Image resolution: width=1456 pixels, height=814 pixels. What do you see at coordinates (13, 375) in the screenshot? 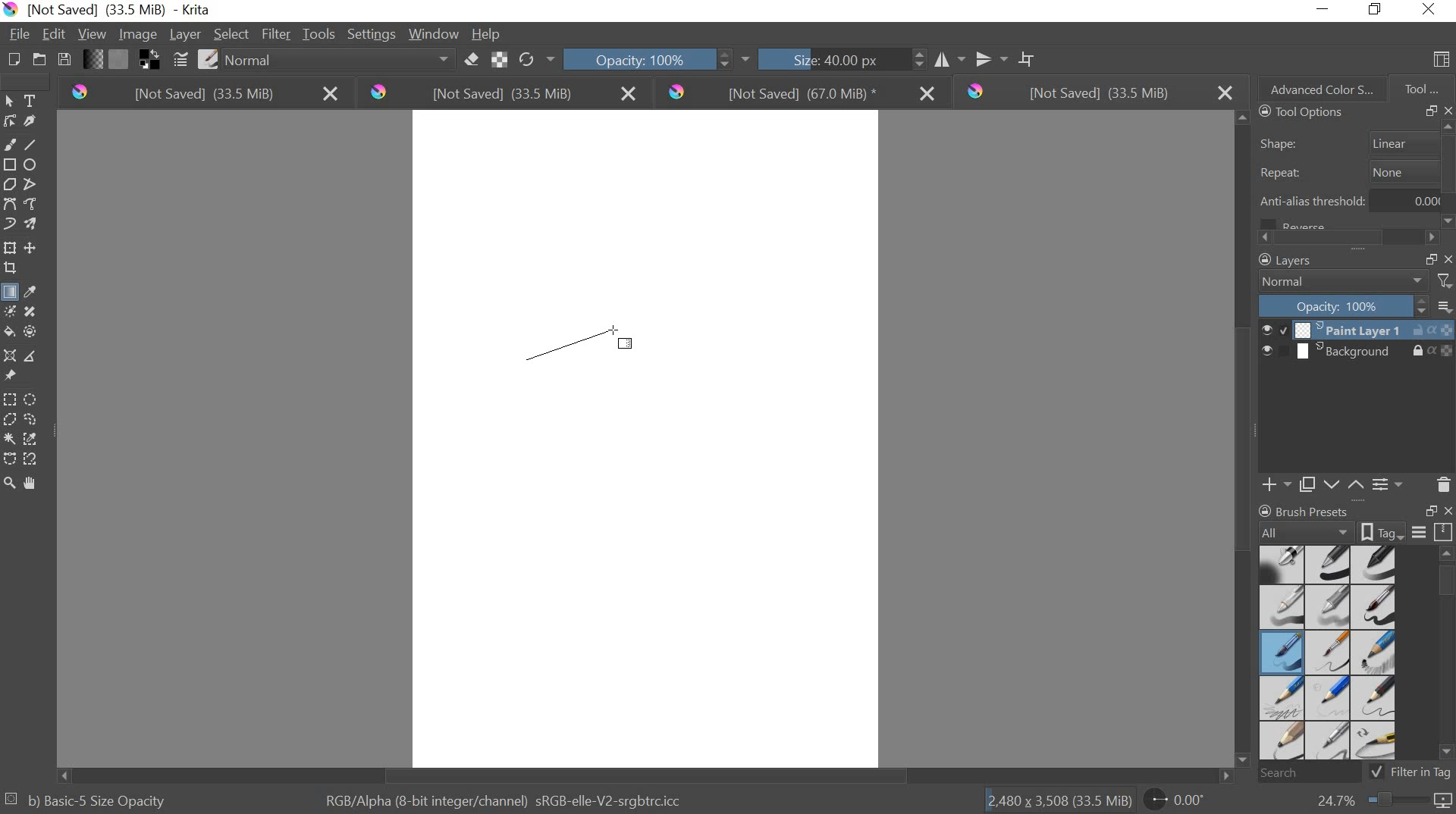
I see `reference images` at bounding box center [13, 375].